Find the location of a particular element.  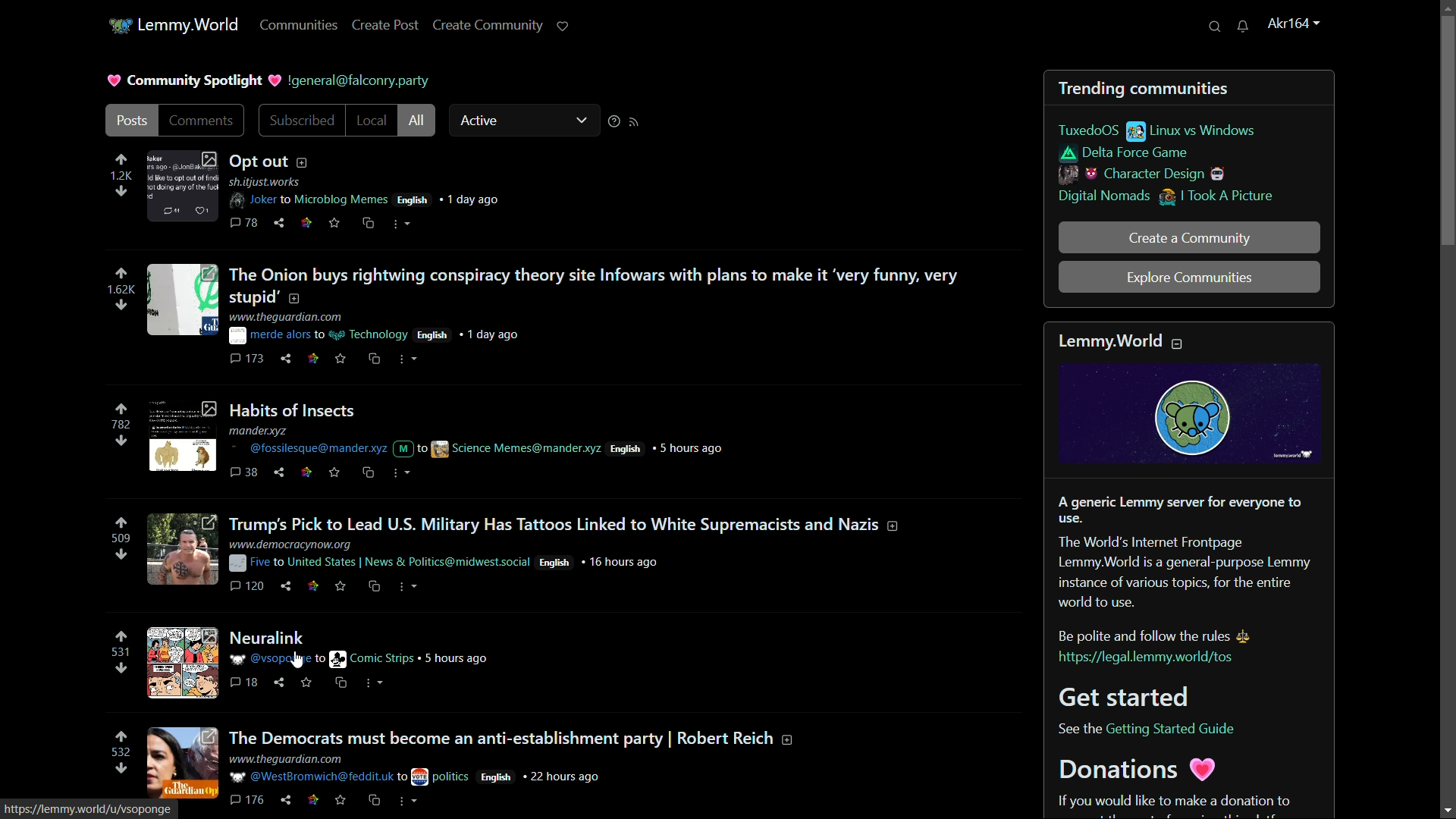

downvote is located at coordinates (121, 668).